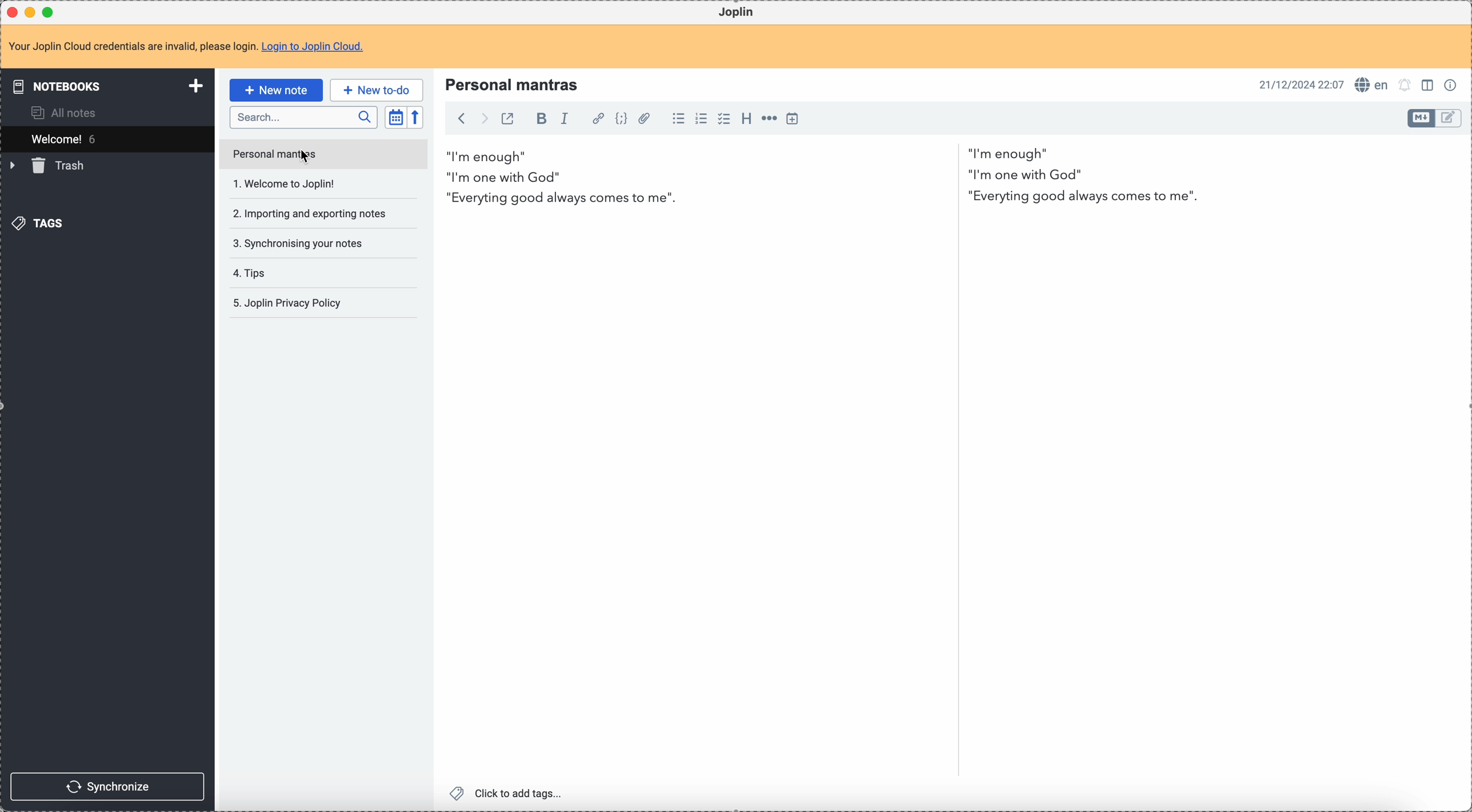 This screenshot has height=812, width=1472. What do you see at coordinates (190, 46) in the screenshot?
I see `note` at bounding box center [190, 46].